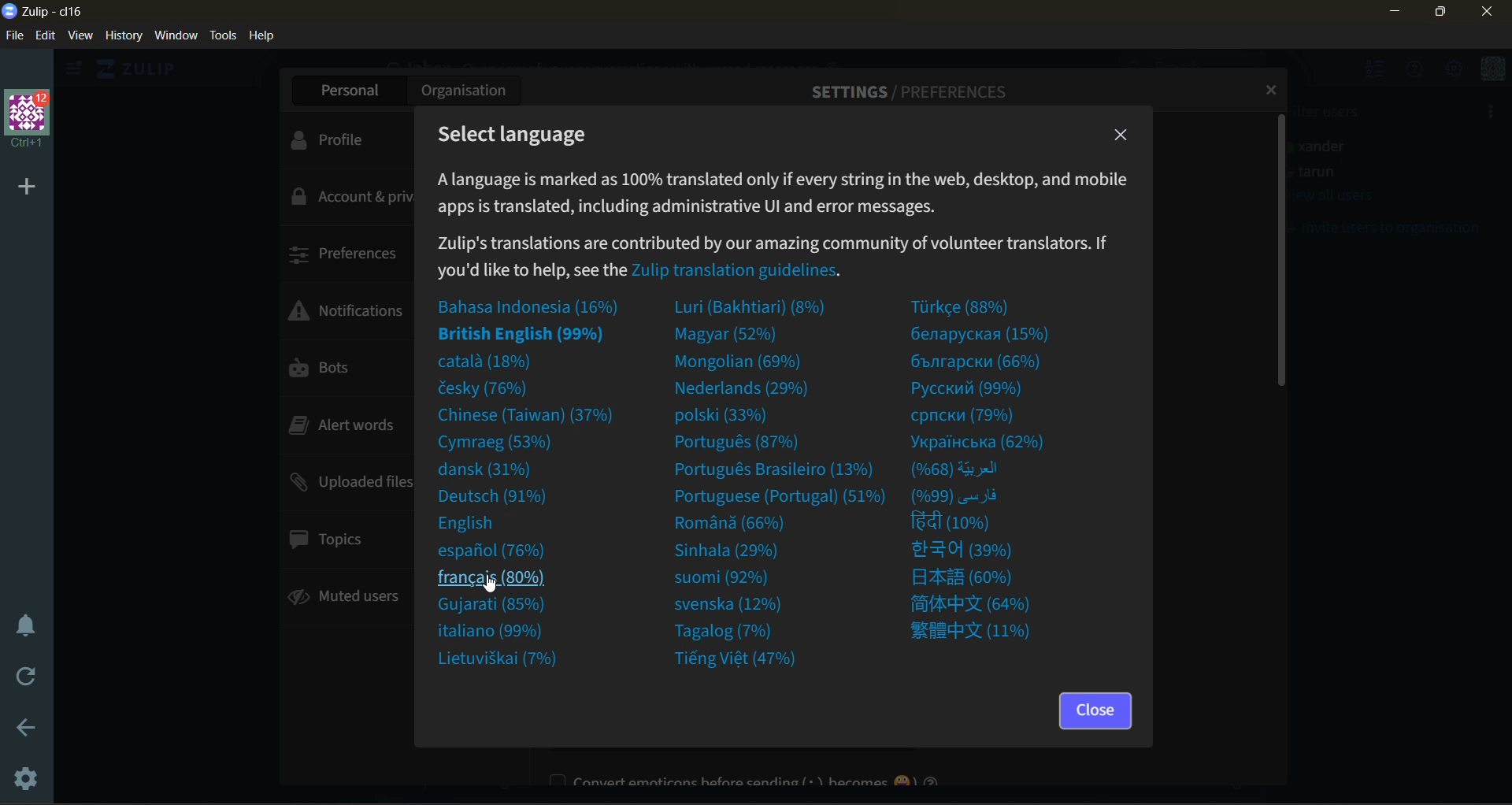  I want to click on magyar, so click(735, 332).